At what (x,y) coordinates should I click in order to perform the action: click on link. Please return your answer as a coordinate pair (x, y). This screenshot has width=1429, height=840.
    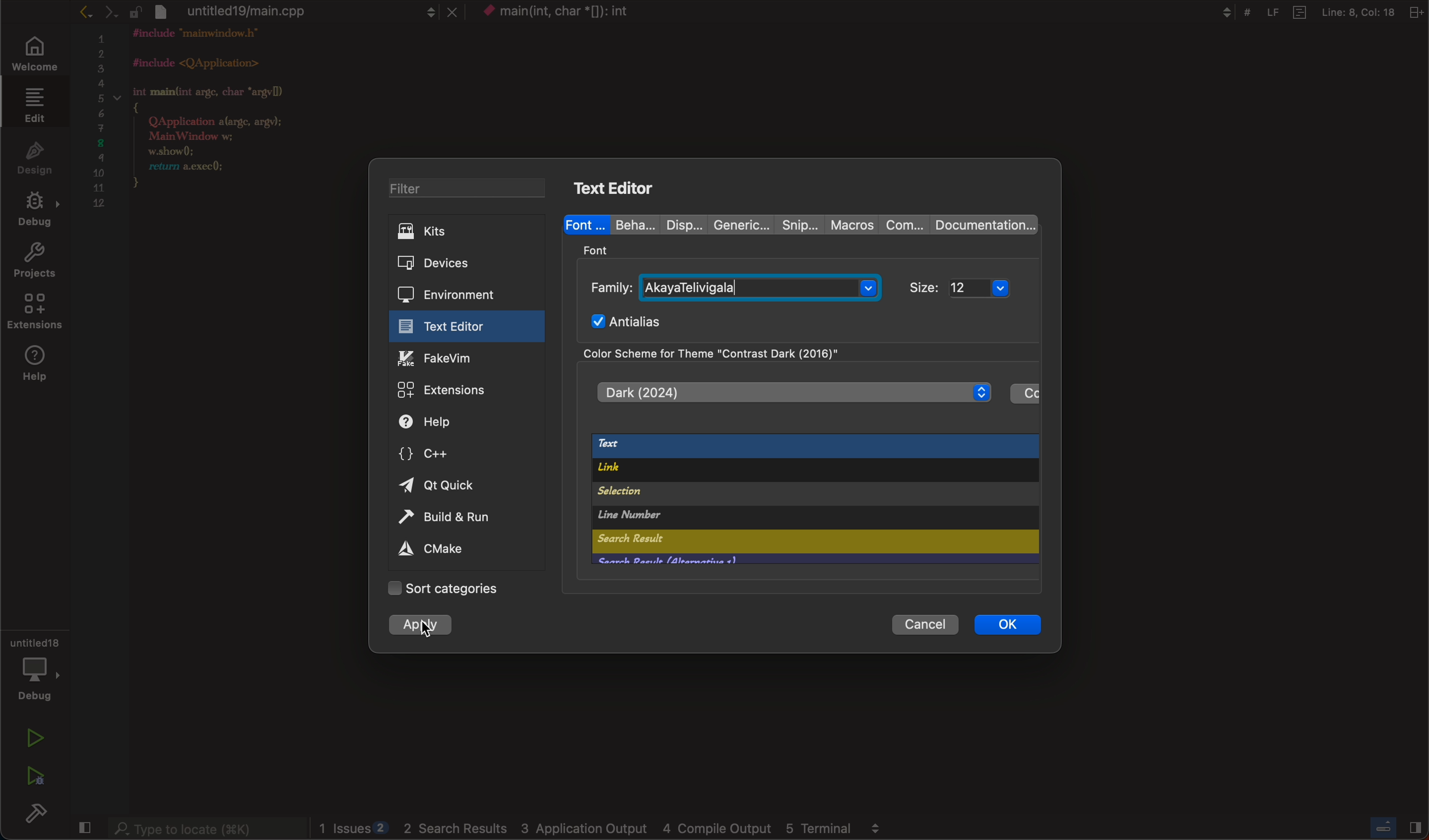
    Looking at the image, I should click on (801, 472).